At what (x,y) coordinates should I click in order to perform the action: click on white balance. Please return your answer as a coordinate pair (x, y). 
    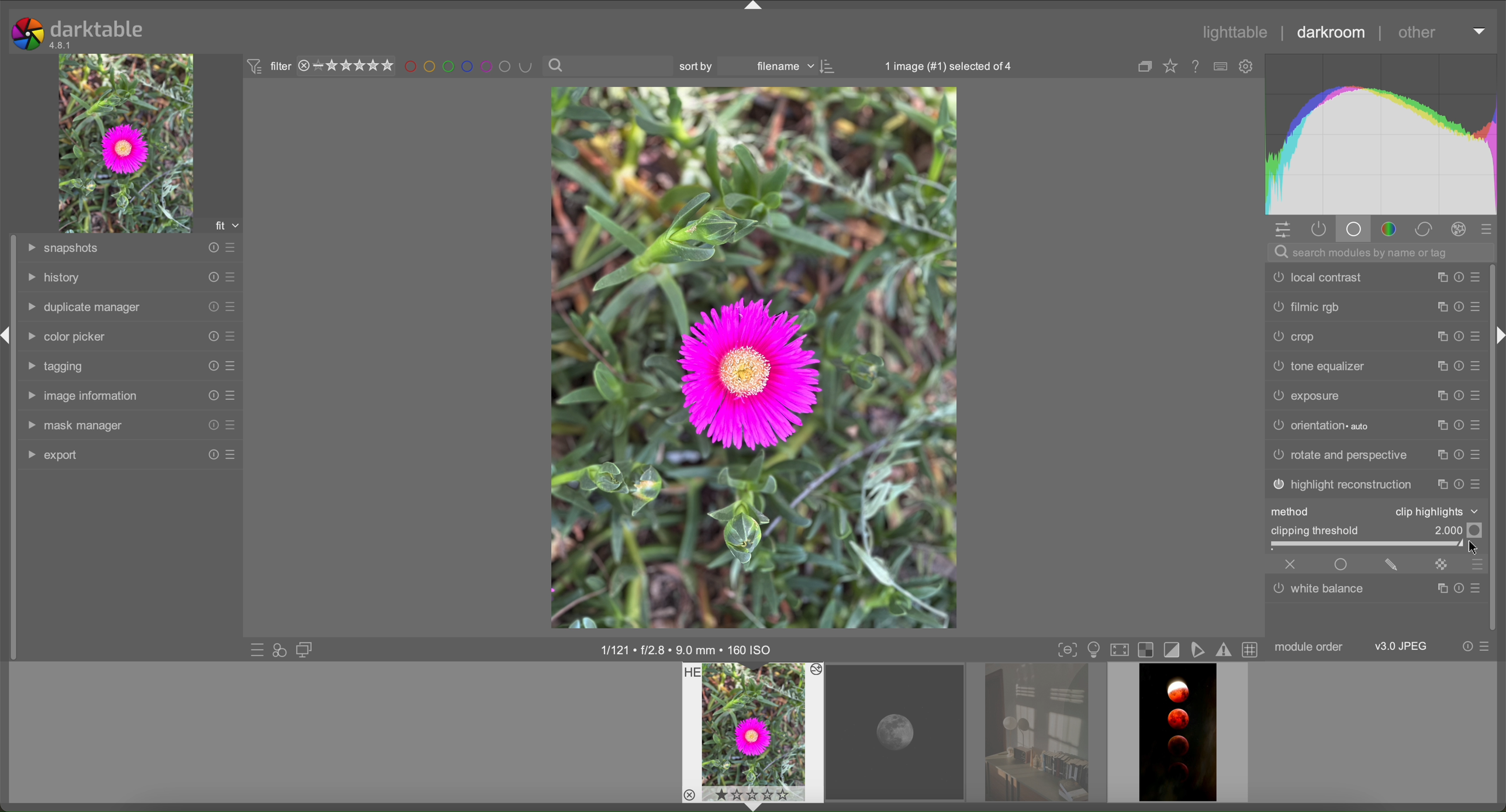
    Looking at the image, I should click on (1321, 592).